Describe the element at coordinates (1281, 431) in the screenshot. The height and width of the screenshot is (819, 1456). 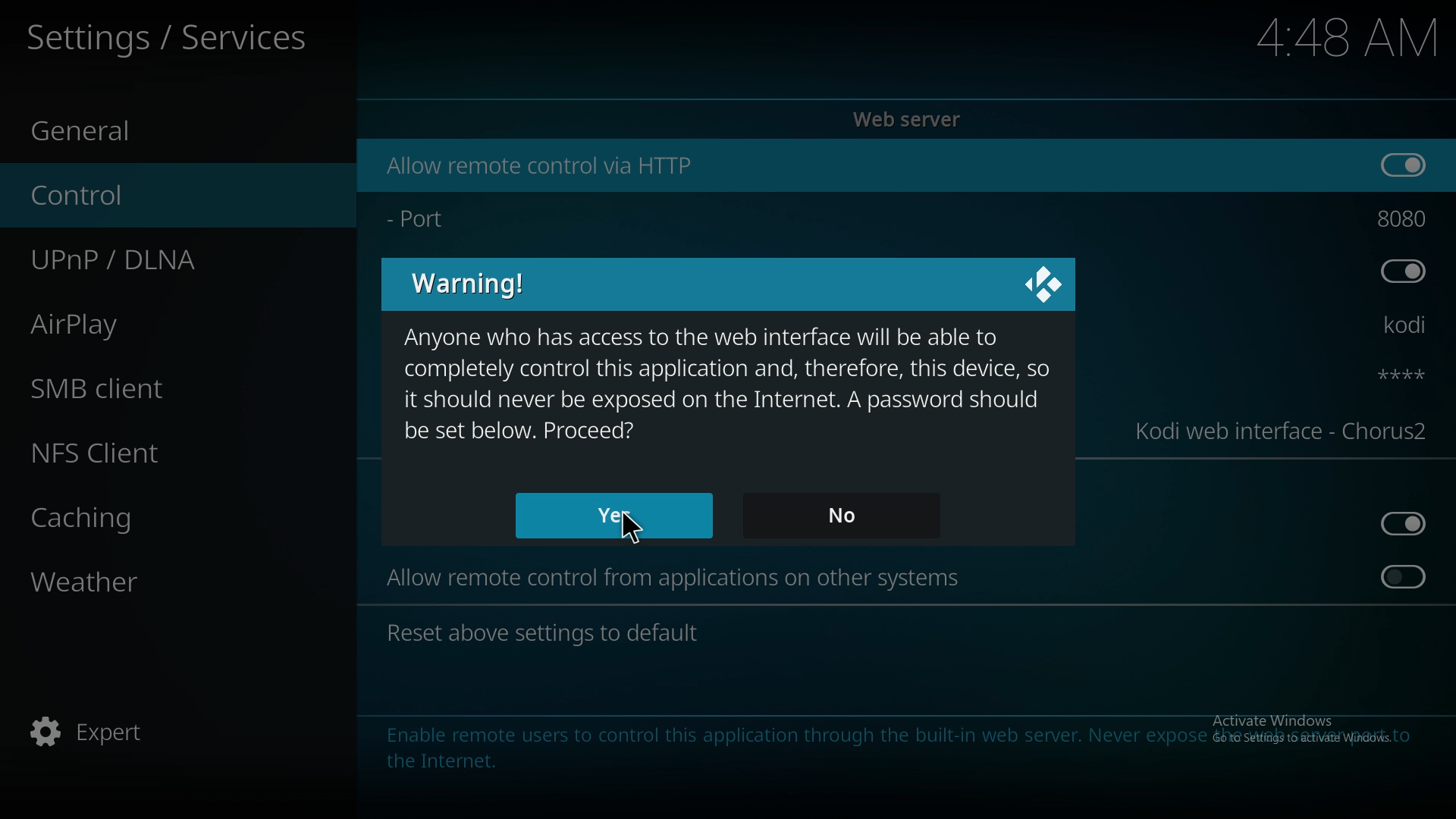
I see `kodi web interface` at that location.